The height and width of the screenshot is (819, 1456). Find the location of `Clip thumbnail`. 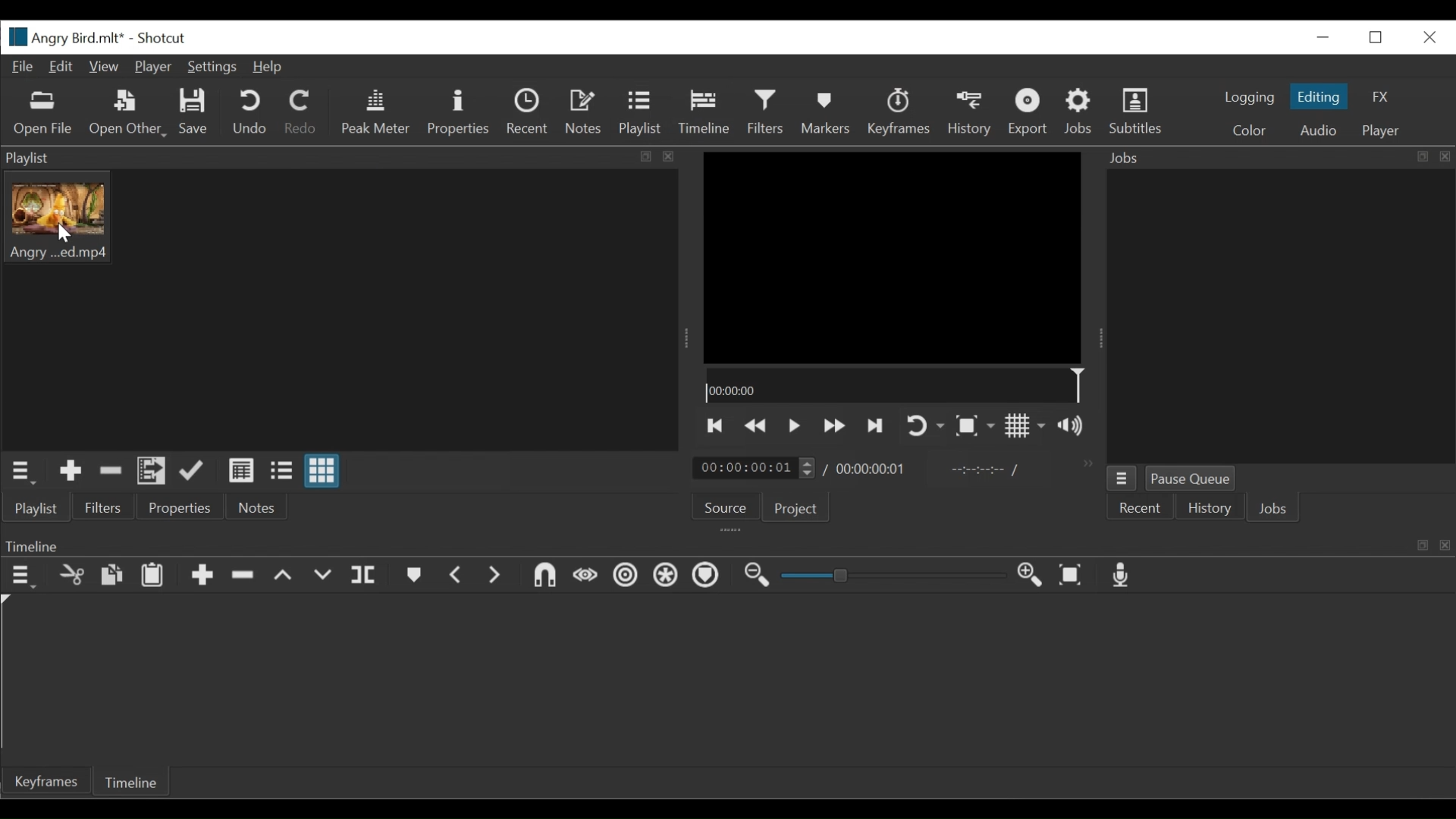

Clip thumbnail is located at coordinates (340, 309).